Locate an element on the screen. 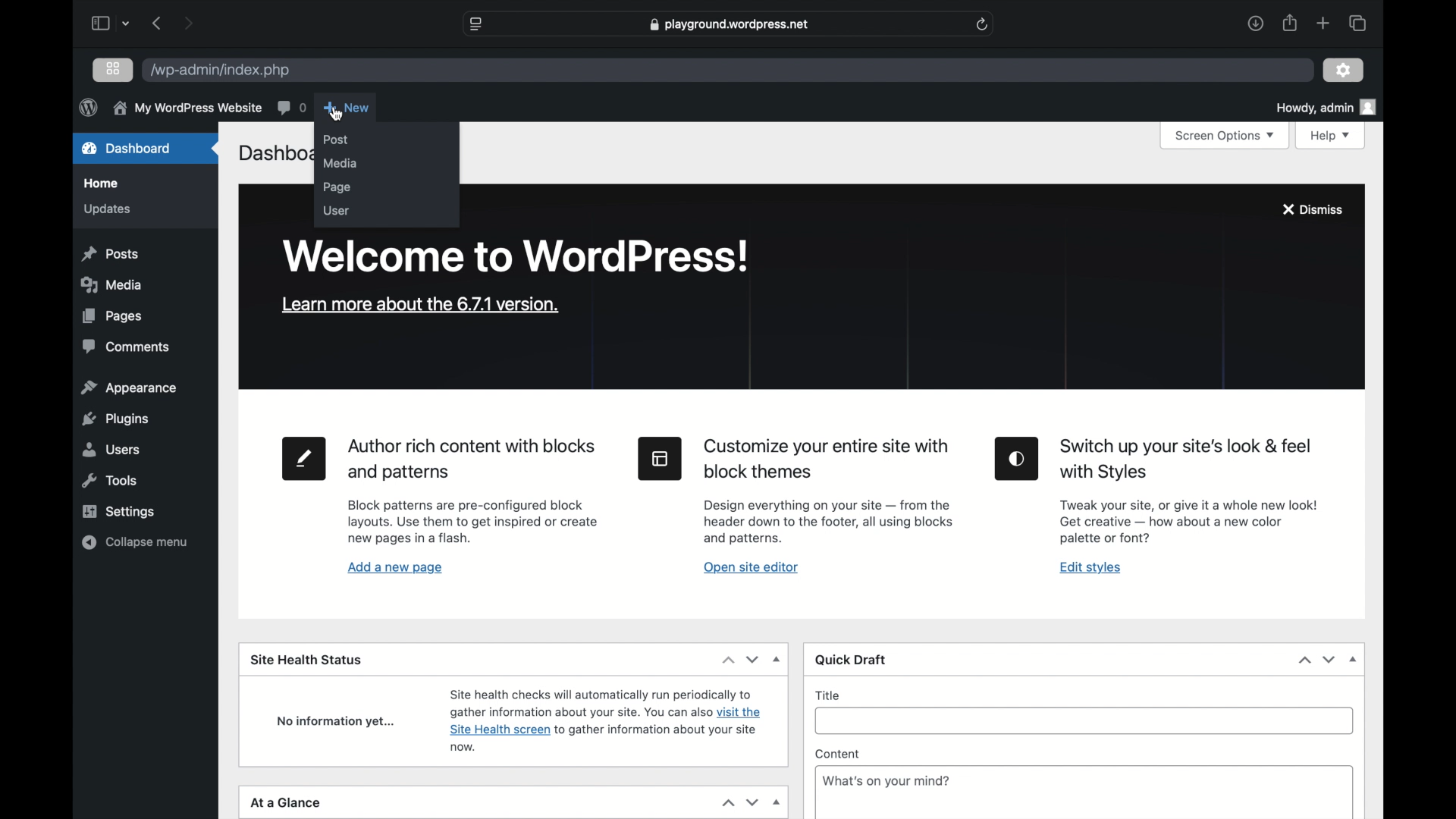 The image size is (1456, 819). help is located at coordinates (1332, 136).